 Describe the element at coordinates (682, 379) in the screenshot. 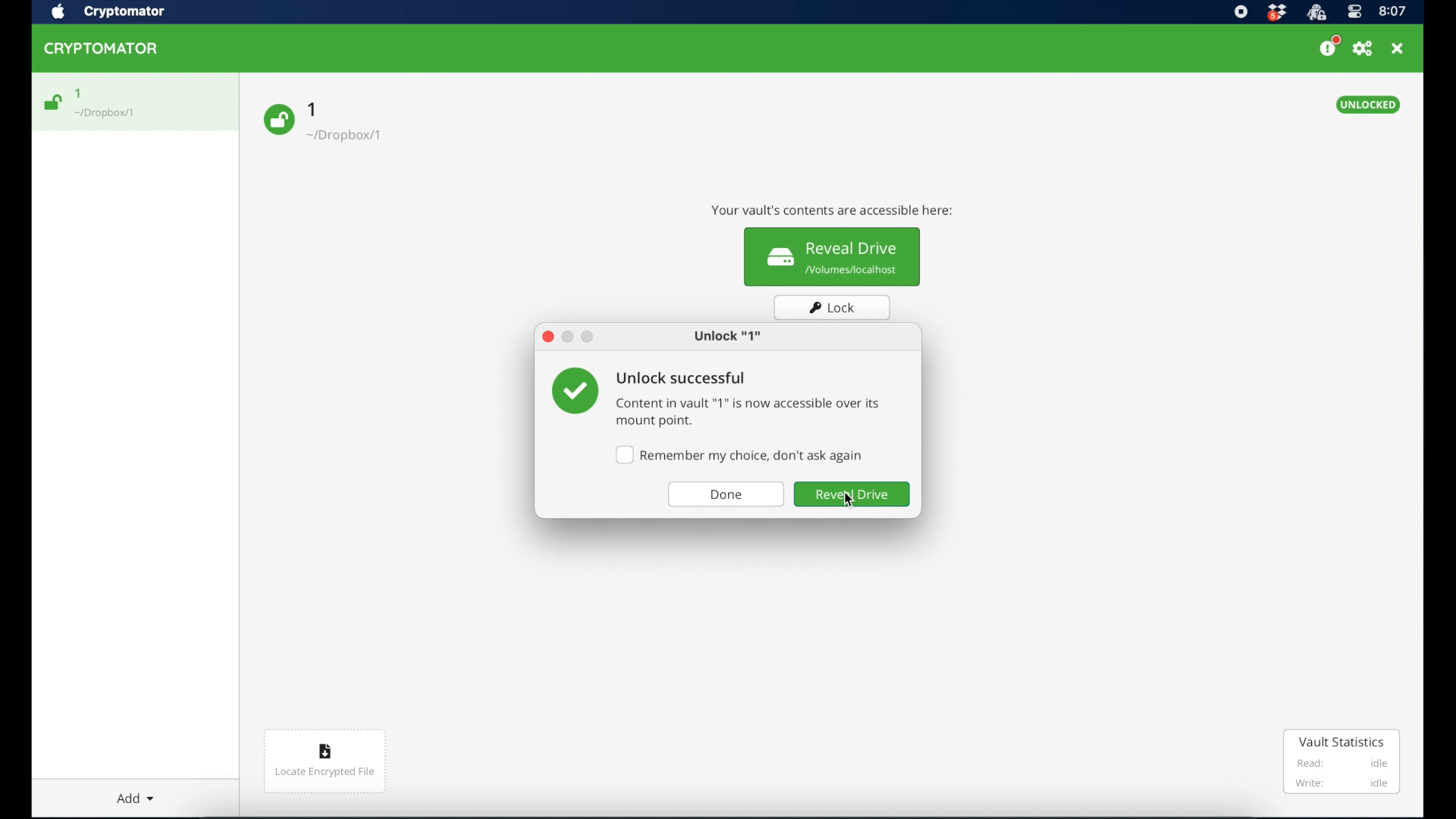

I see `unlock successful` at that location.